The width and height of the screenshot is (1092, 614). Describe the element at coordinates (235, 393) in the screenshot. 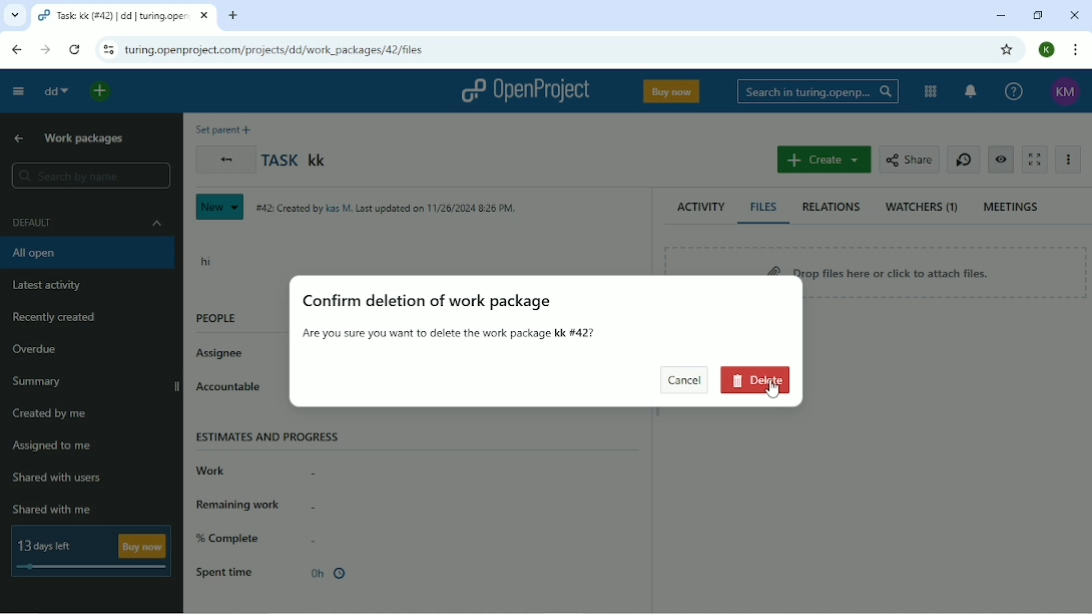

I see `Accountable` at that location.